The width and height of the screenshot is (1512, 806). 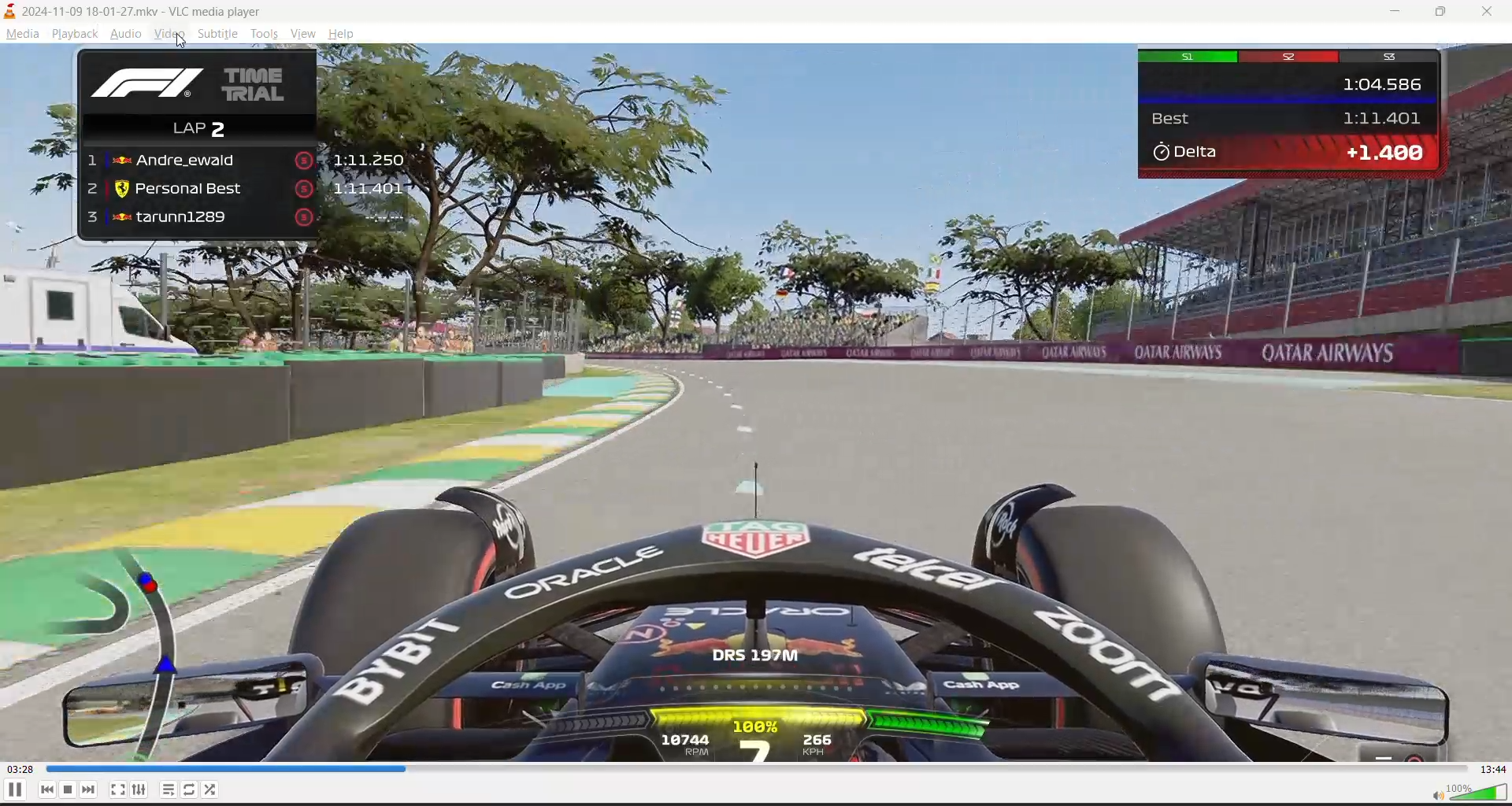 What do you see at coordinates (183, 42) in the screenshot?
I see `Cursor` at bounding box center [183, 42].